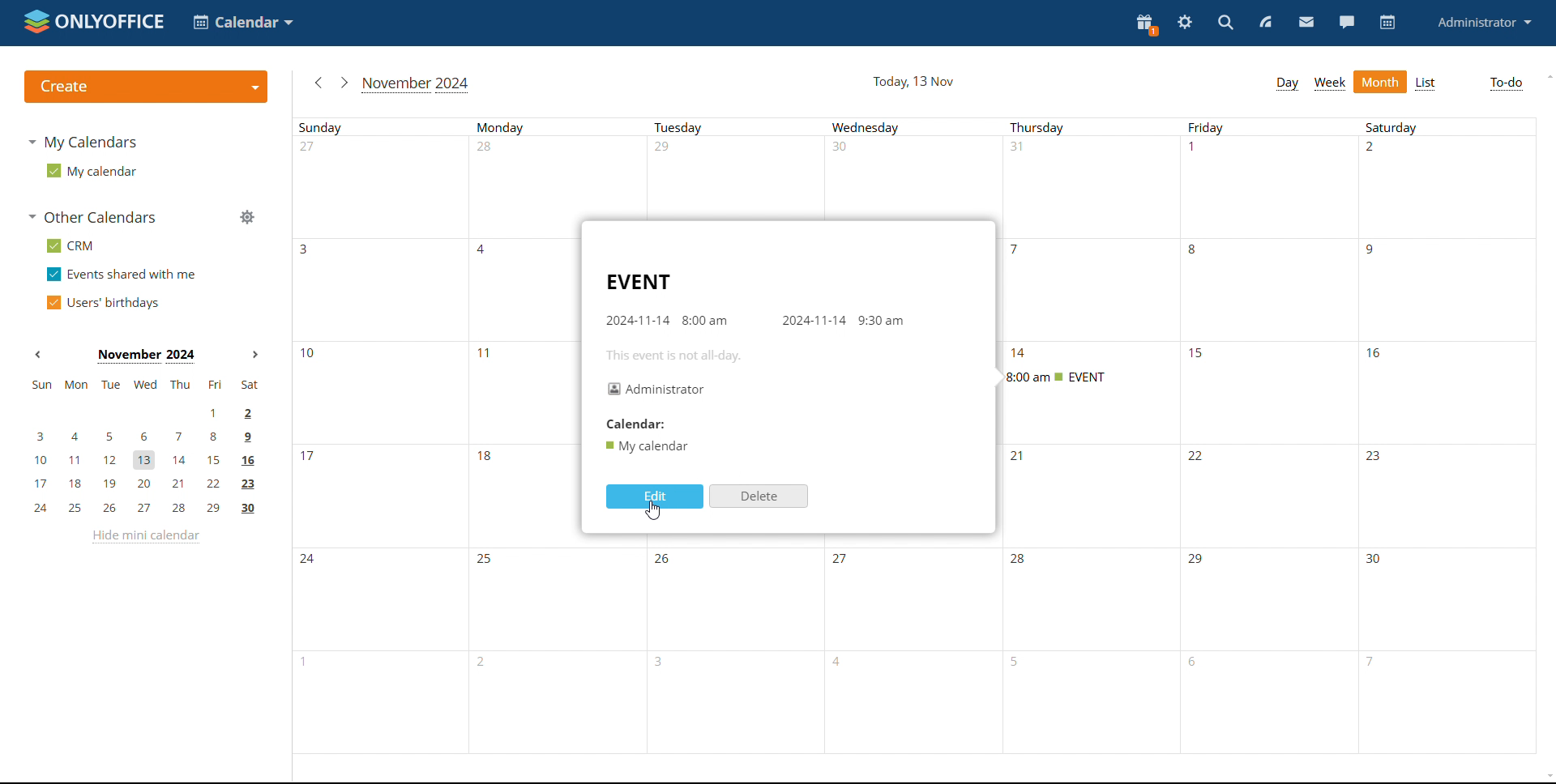 The height and width of the screenshot is (784, 1556). I want to click on next month, so click(345, 83).